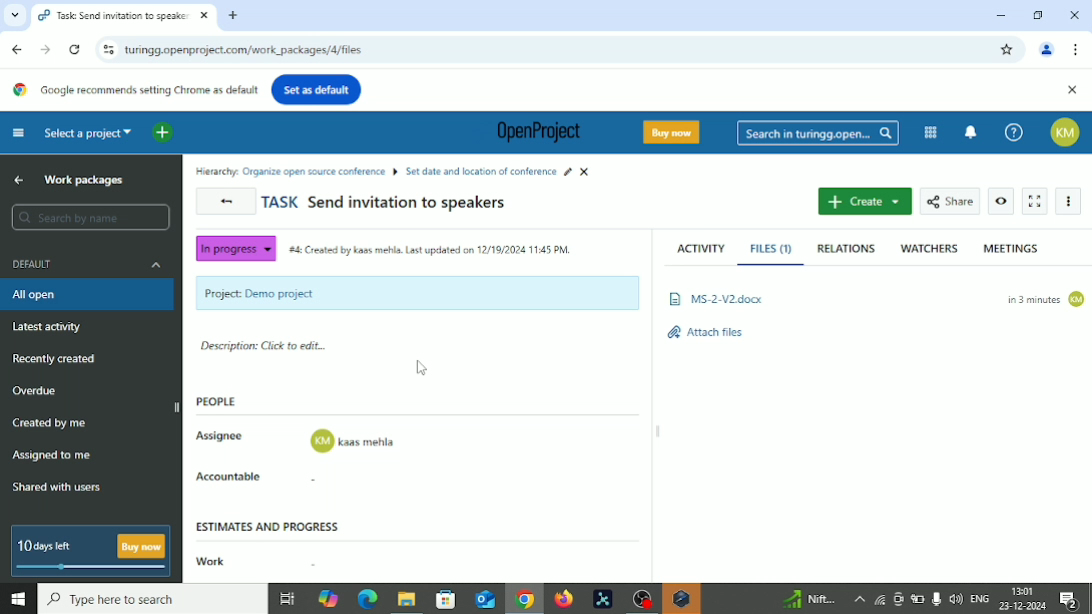  What do you see at coordinates (769, 250) in the screenshot?
I see `Files` at bounding box center [769, 250].